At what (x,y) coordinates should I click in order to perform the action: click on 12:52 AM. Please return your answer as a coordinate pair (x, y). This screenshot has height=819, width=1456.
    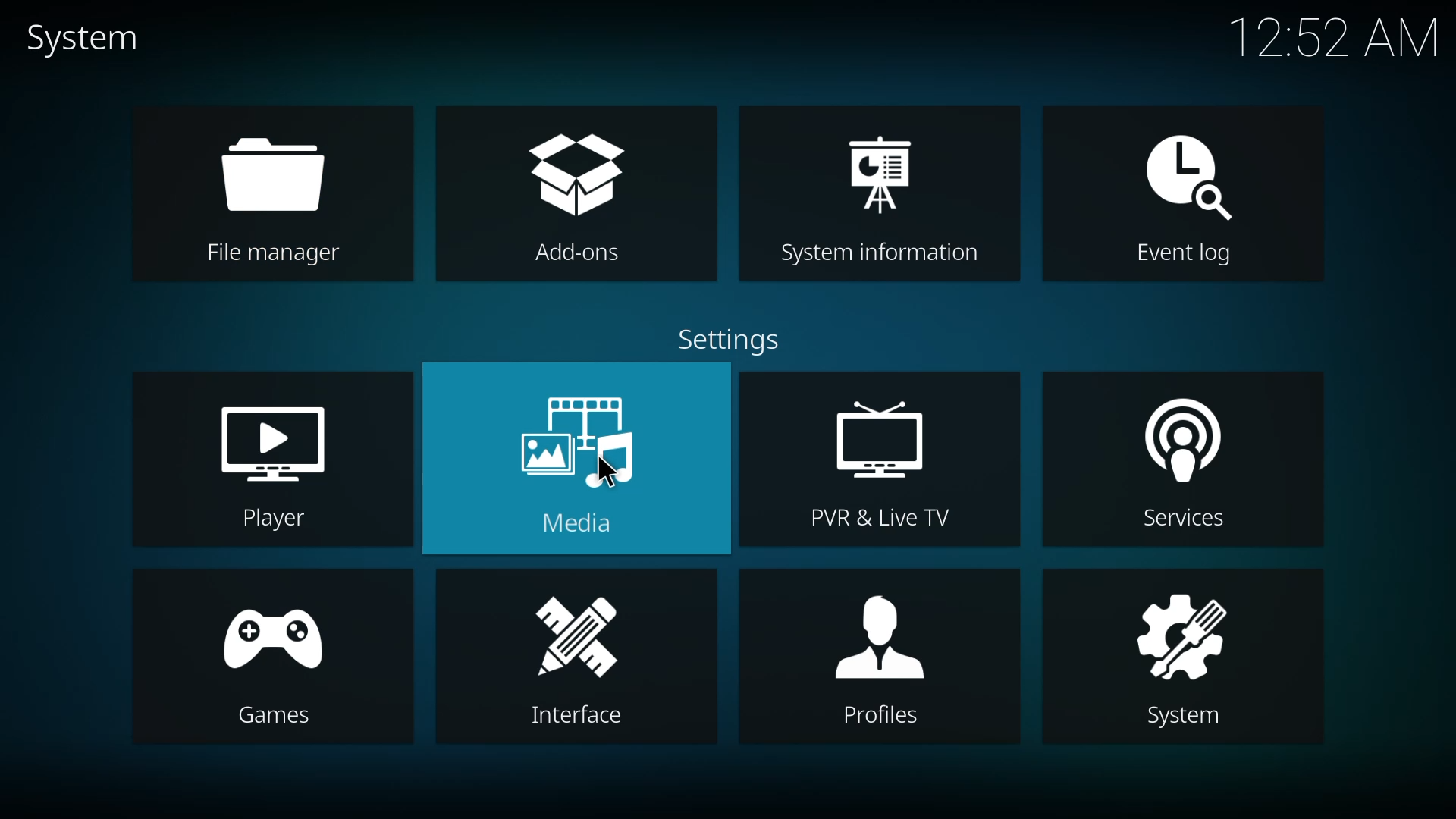
    Looking at the image, I should click on (1332, 42).